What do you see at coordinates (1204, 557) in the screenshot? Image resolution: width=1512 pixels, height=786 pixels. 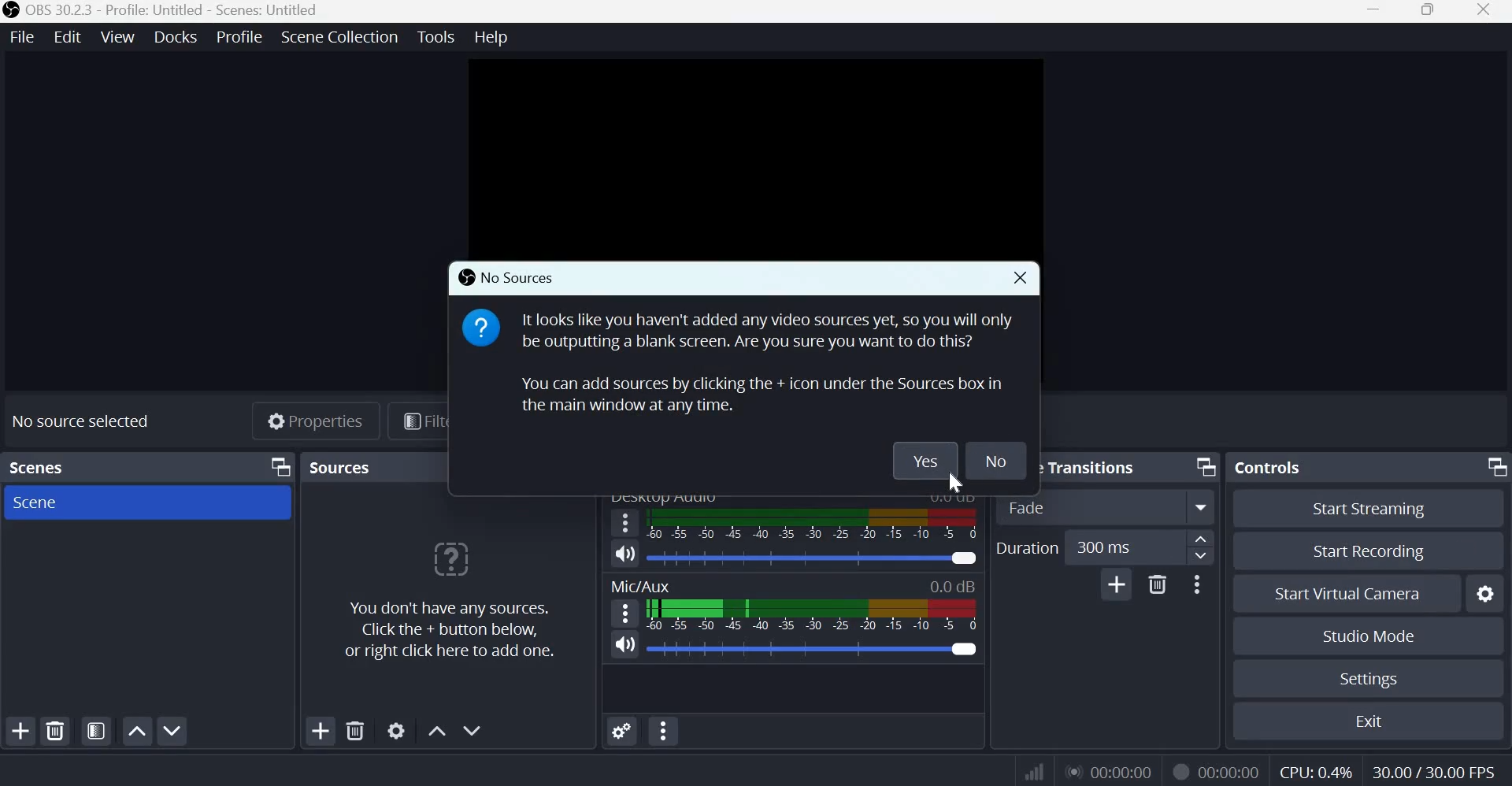 I see `Decrease` at bounding box center [1204, 557].